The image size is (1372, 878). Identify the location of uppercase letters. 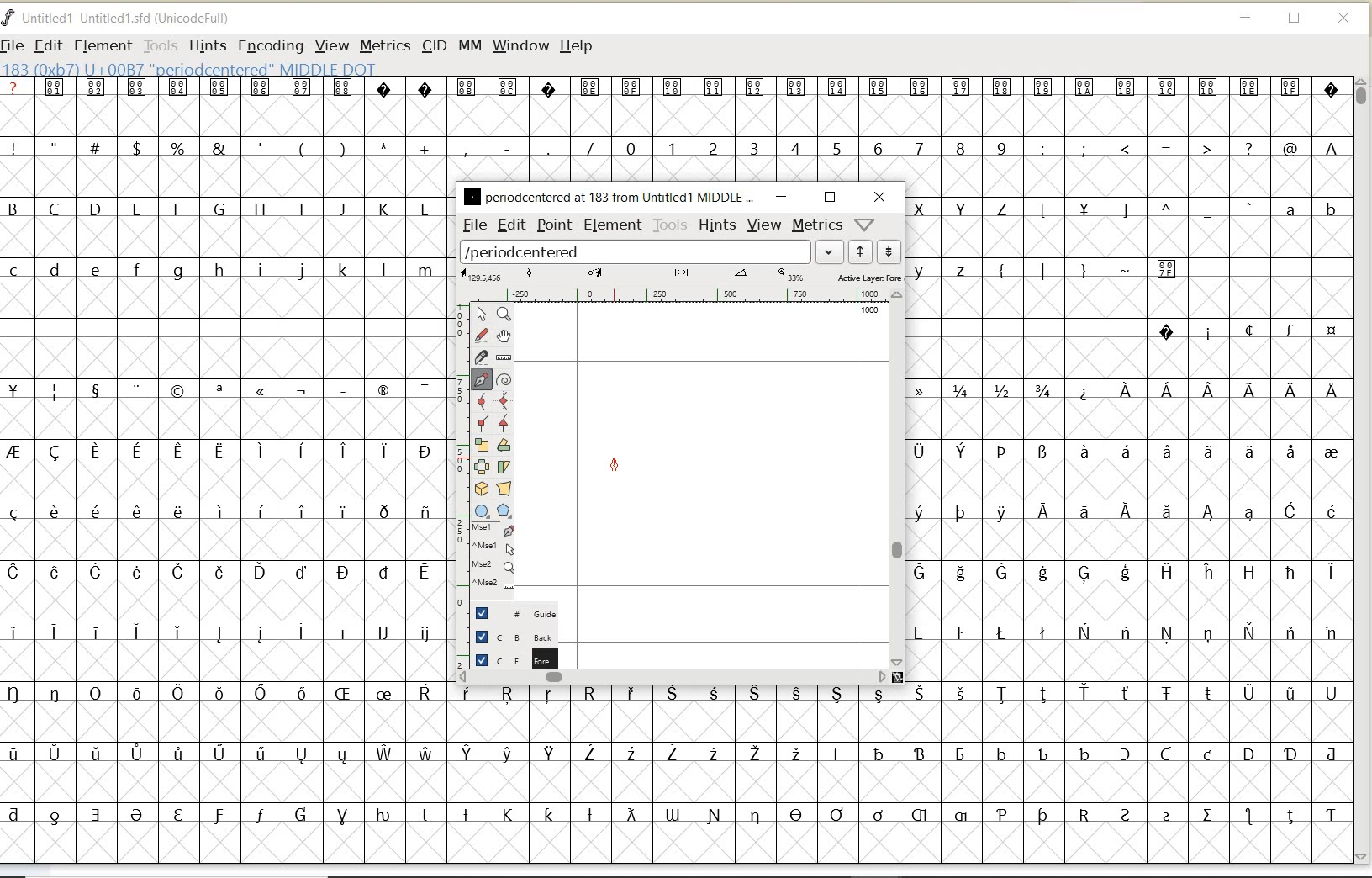
(964, 208).